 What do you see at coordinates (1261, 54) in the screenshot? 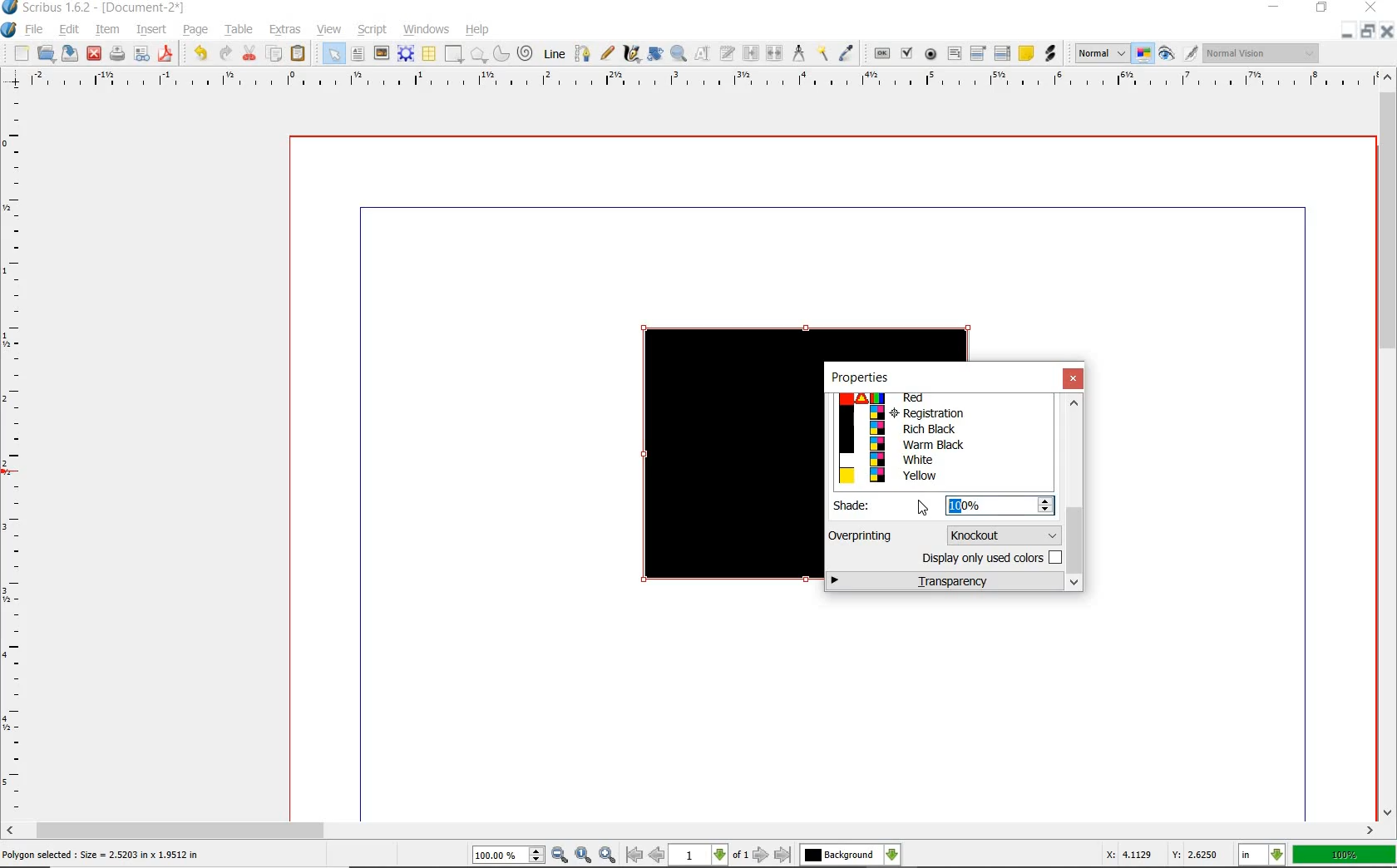
I see `Visual appearance of the display` at bounding box center [1261, 54].